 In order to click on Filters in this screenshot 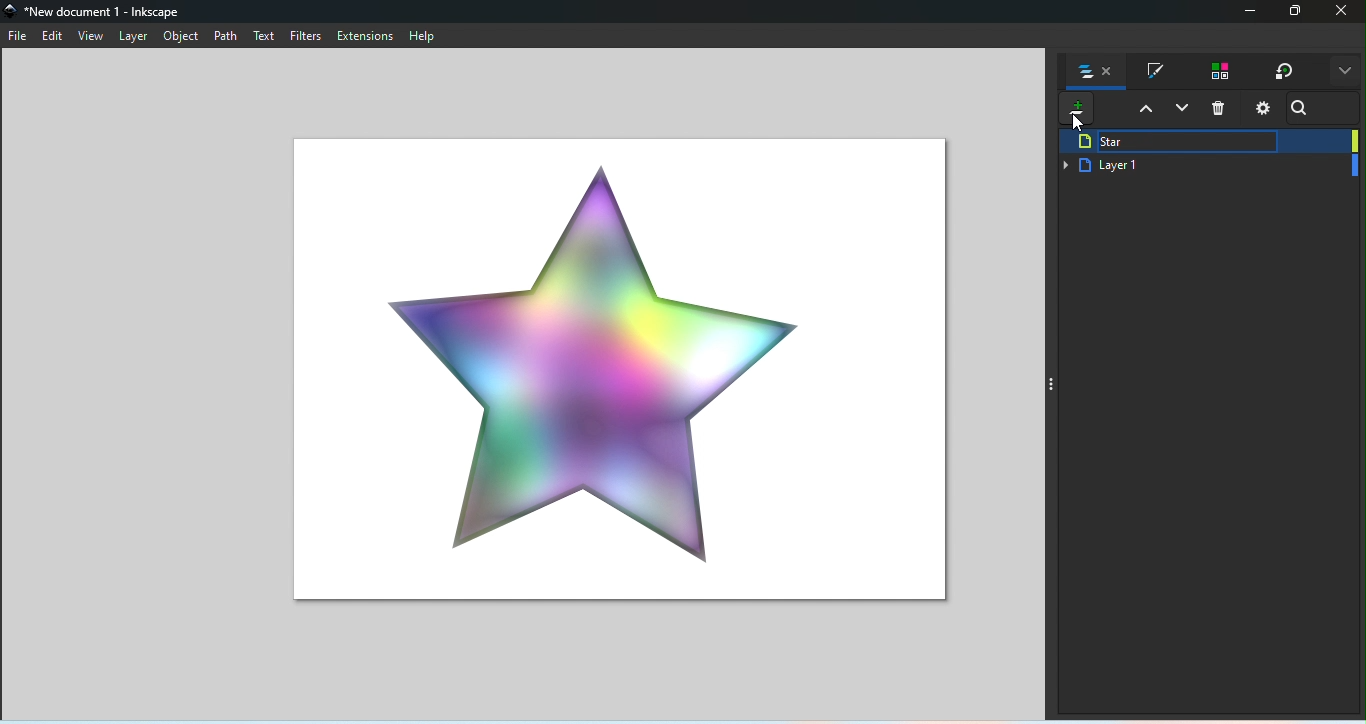, I will do `click(311, 37)`.